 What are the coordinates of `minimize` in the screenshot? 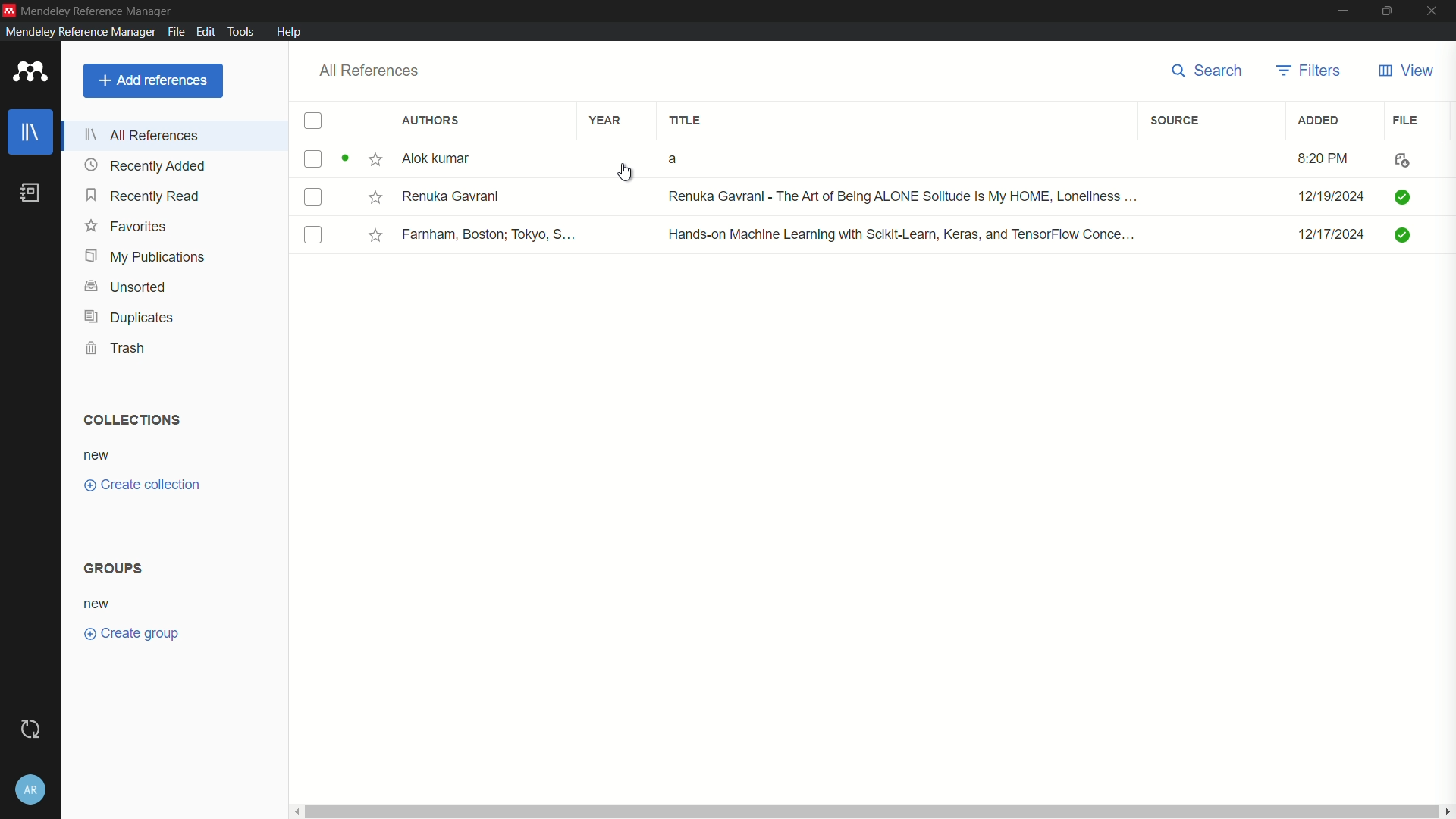 It's located at (1344, 11).